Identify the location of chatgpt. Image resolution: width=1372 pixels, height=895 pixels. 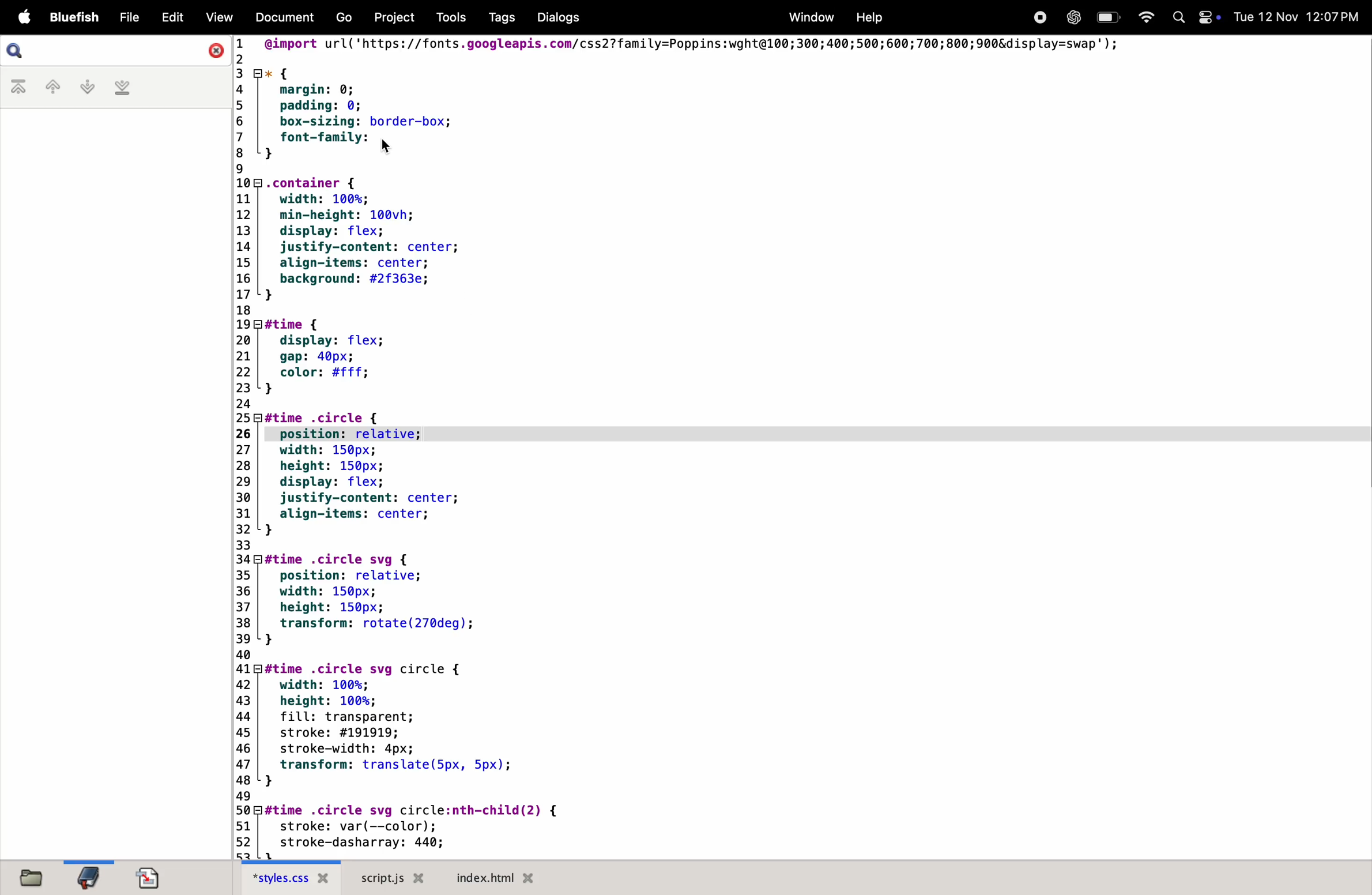
(1071, 17).